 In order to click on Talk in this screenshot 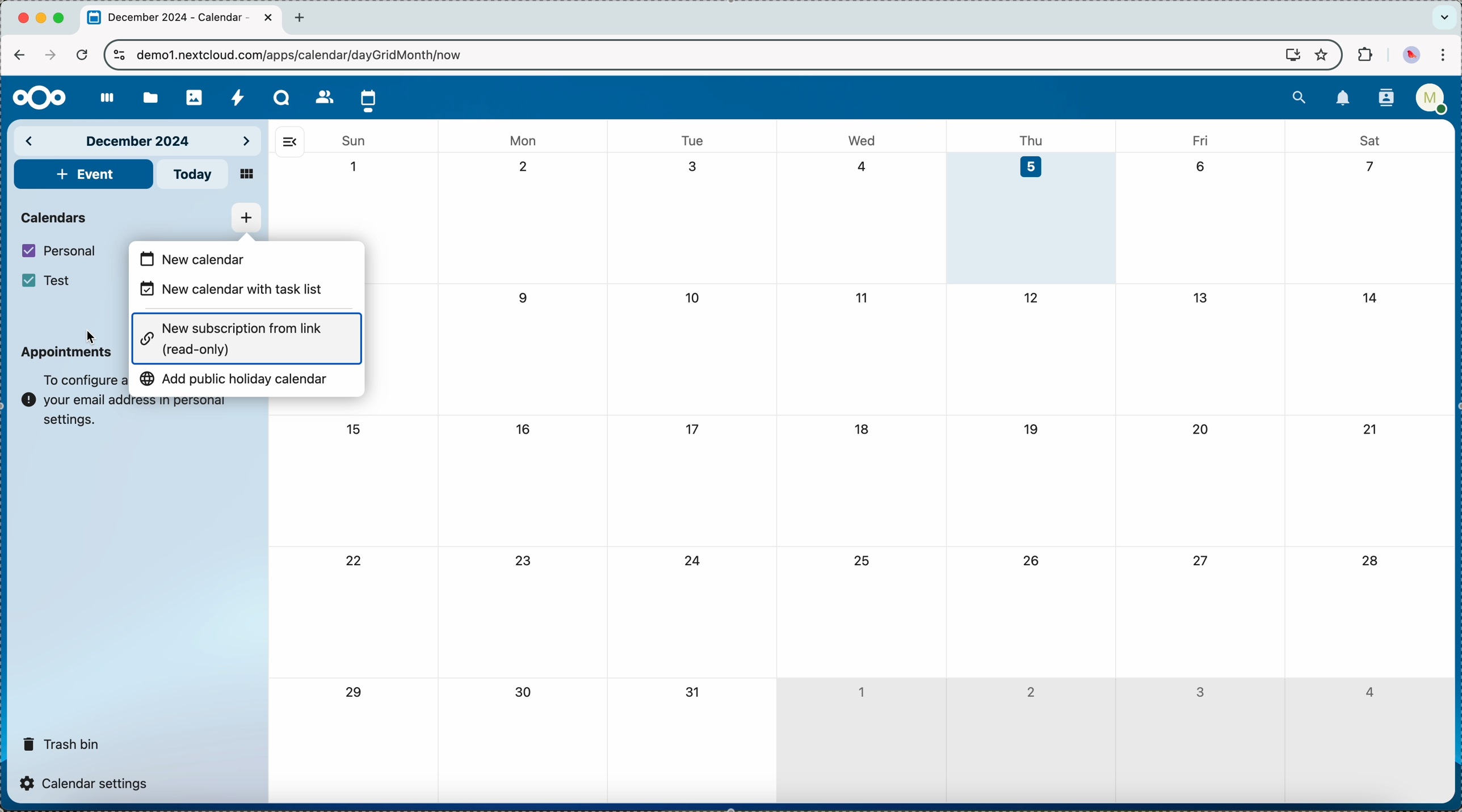, I will do `click(282, 98)`.